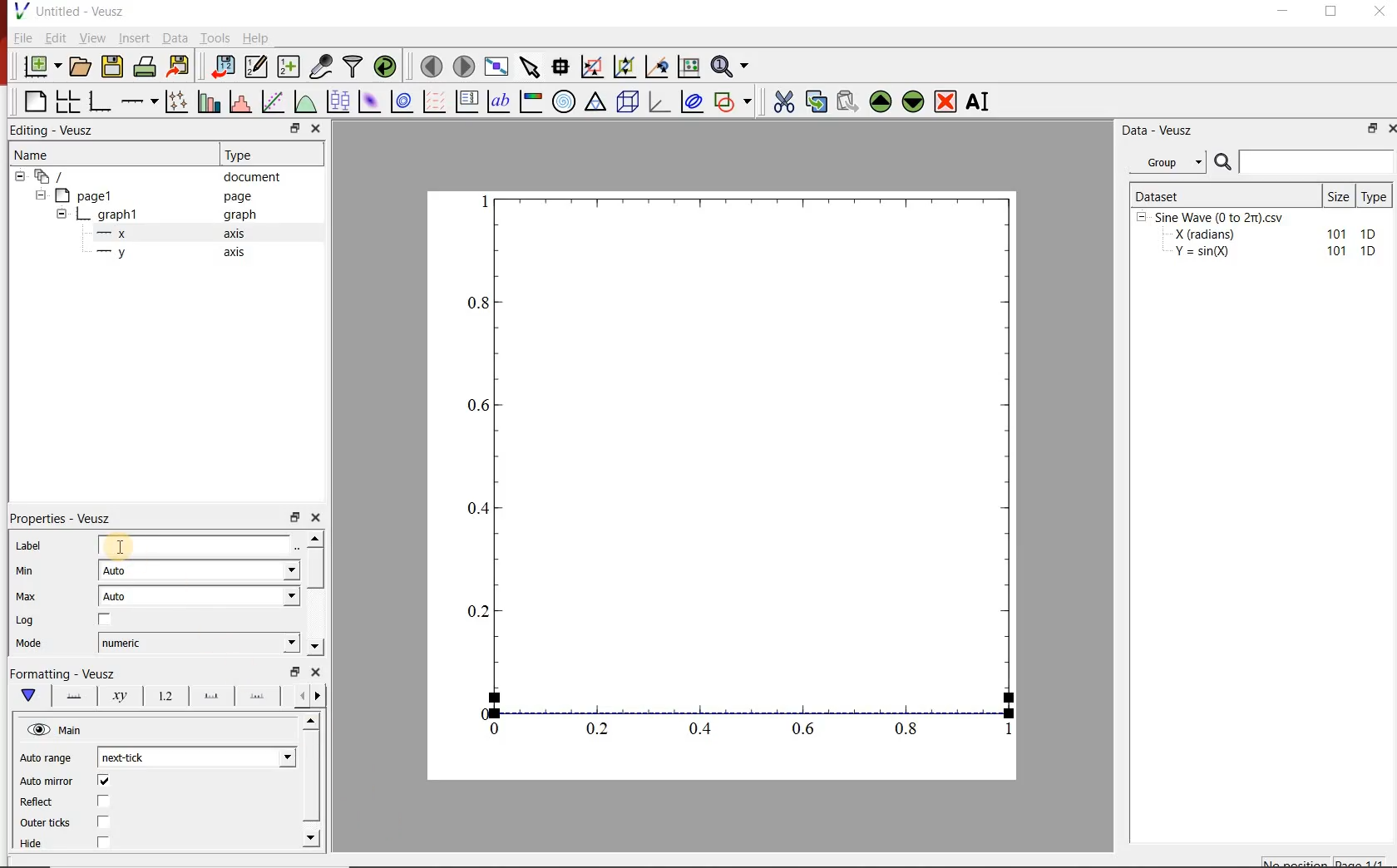 Image resolution: width=1397 pixels, height=868 pixels. Describe the element at coordinates (174, 37) in the screenshot. I see `Data` at that location.